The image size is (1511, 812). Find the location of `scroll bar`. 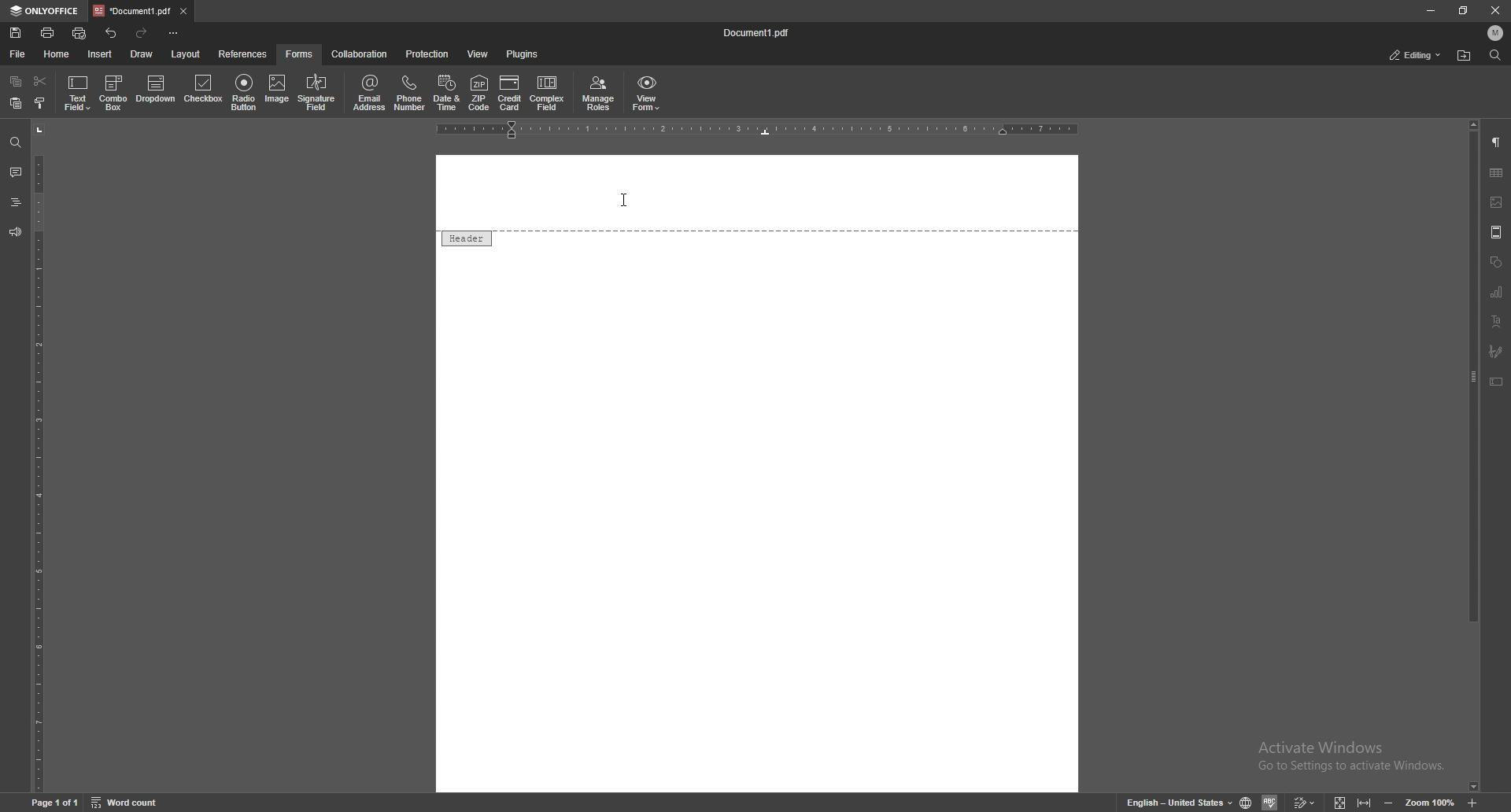

scroll bar is located at coordinates (1473, 456).